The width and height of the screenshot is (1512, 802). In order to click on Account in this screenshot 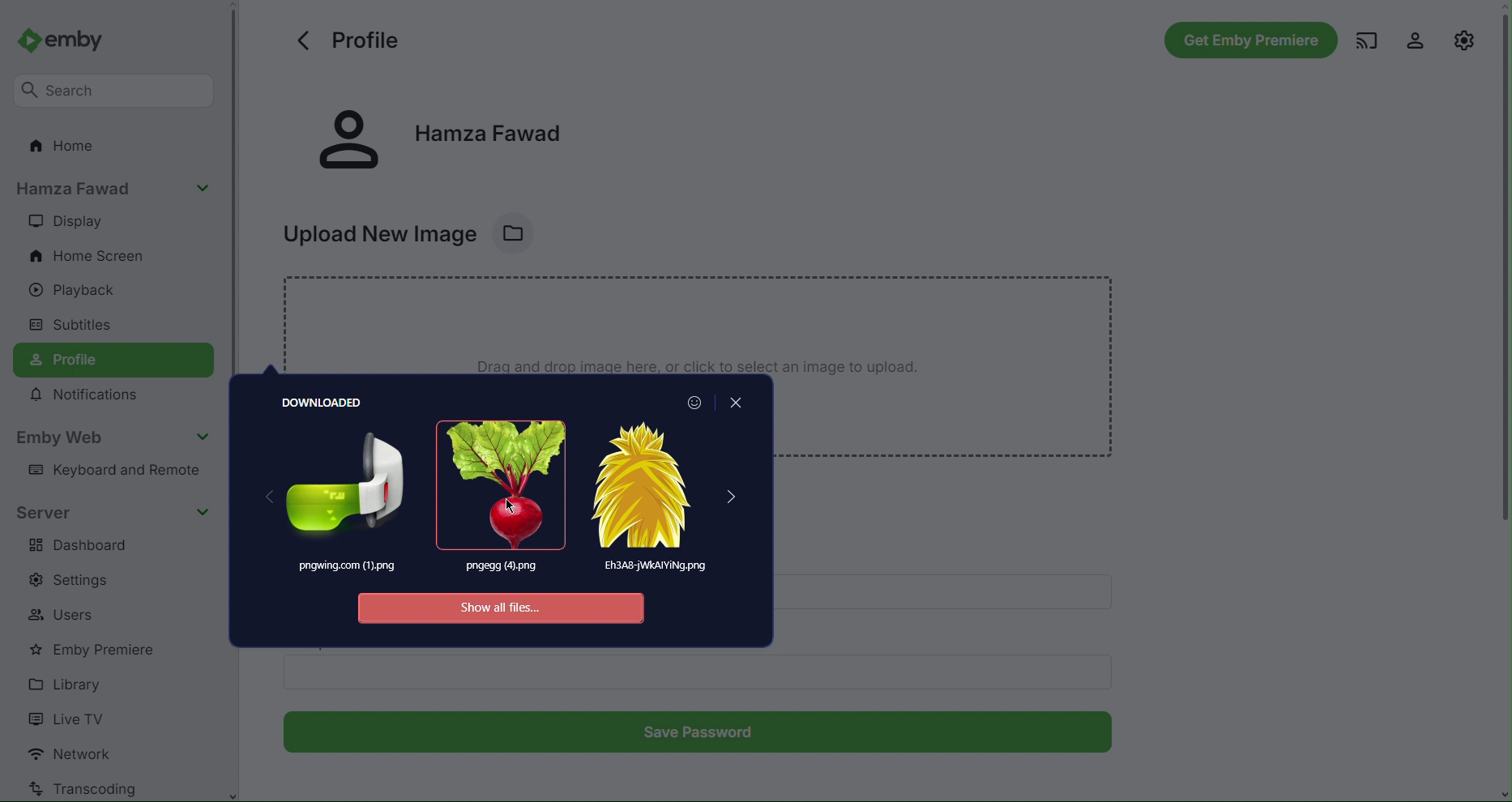, I will do `click(113, 190)`.